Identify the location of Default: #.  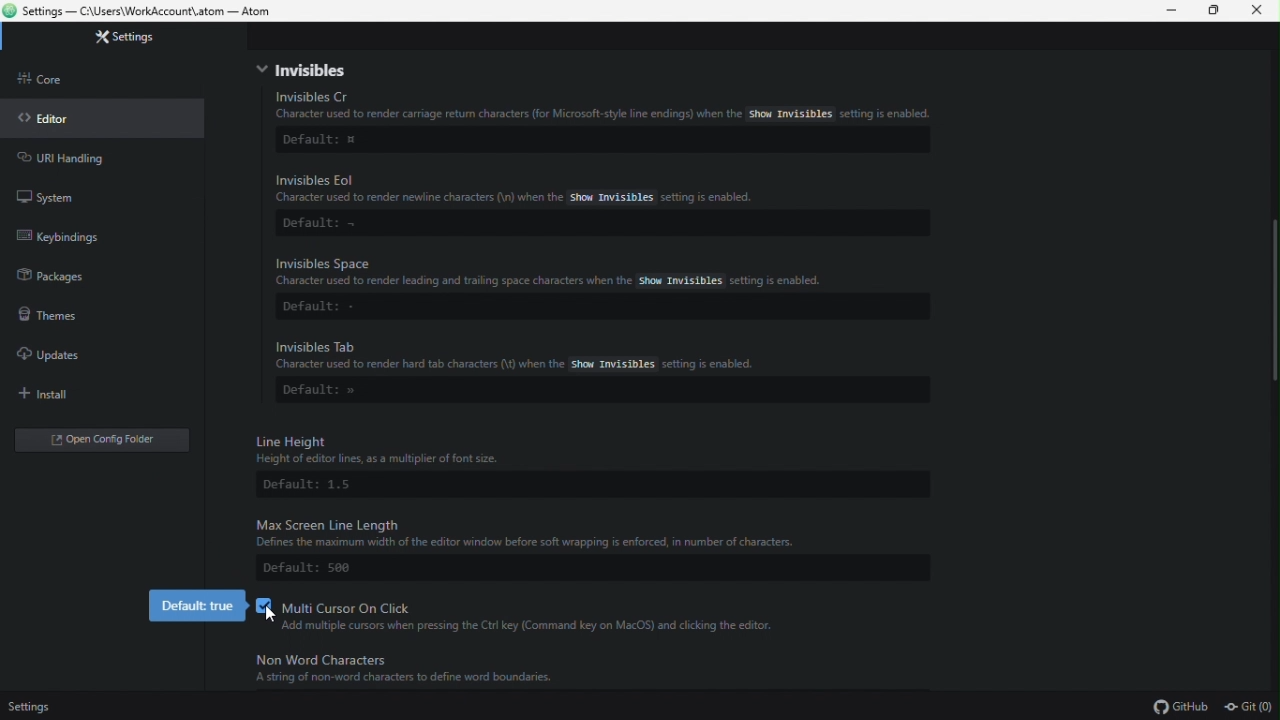
(323, 141).